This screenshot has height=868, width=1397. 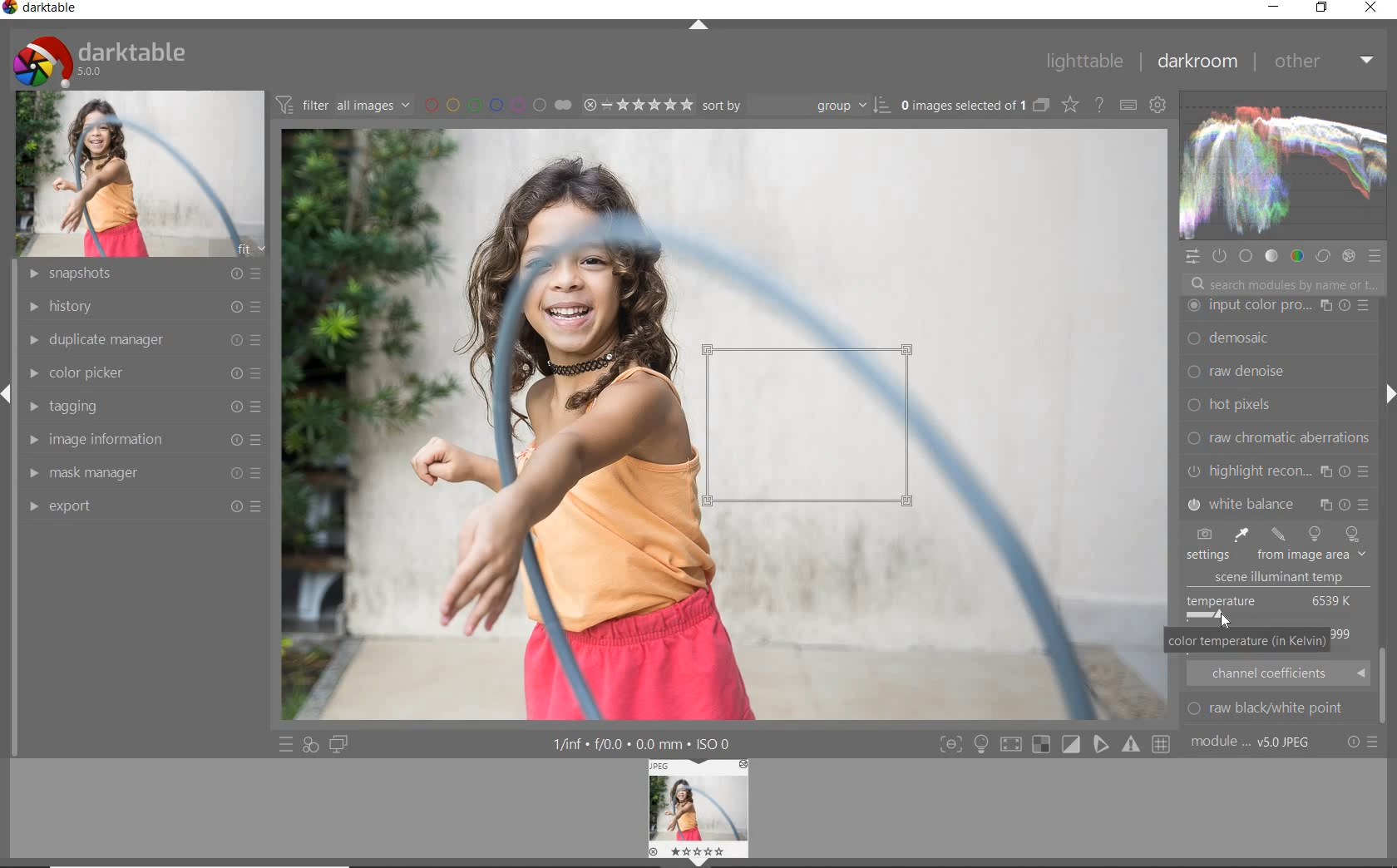 I want to click on quick access to preset, so click(x=286, y=743).